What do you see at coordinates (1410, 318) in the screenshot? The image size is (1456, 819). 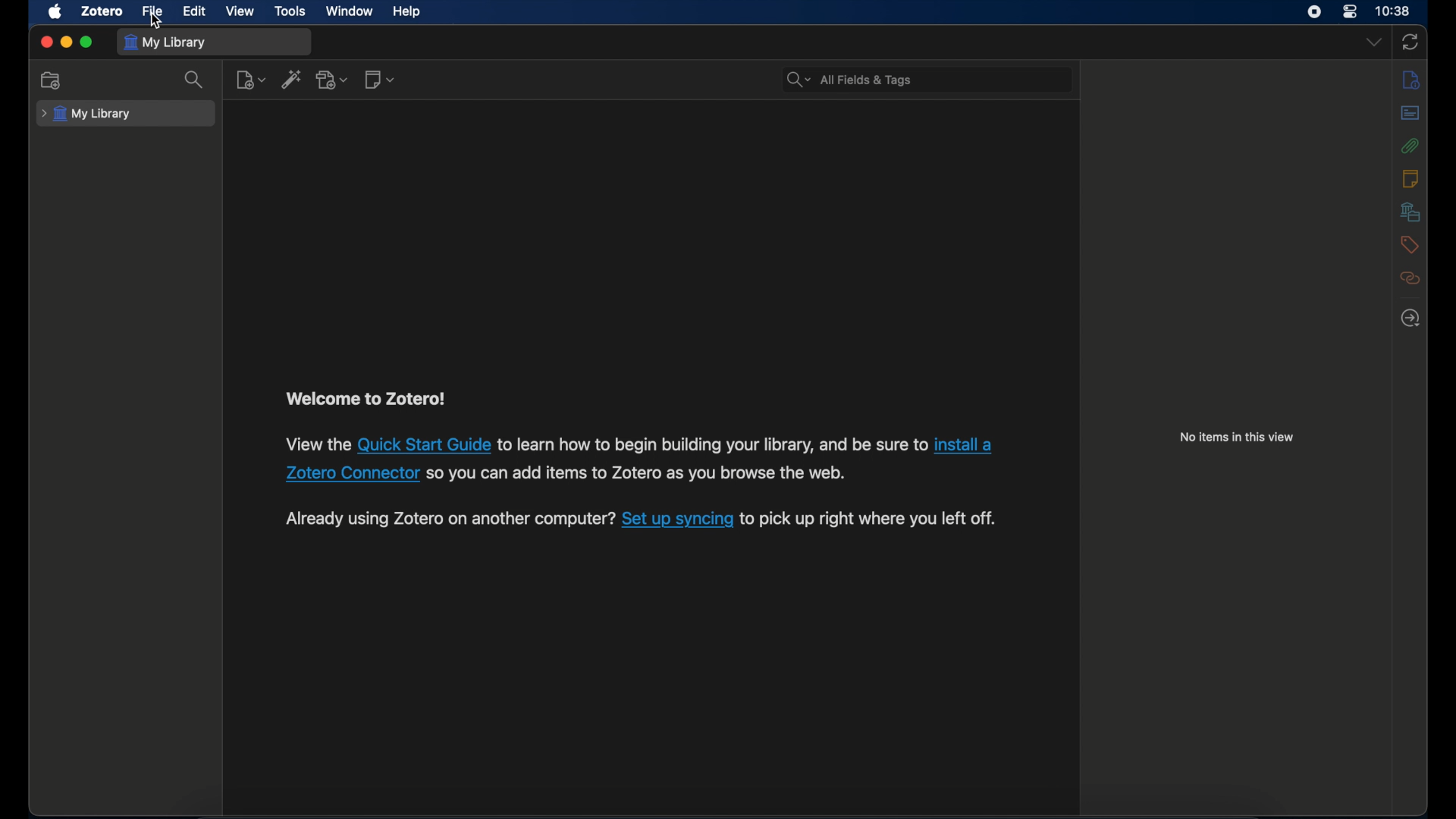 I see `locate` at bounding box center [1410, 318].